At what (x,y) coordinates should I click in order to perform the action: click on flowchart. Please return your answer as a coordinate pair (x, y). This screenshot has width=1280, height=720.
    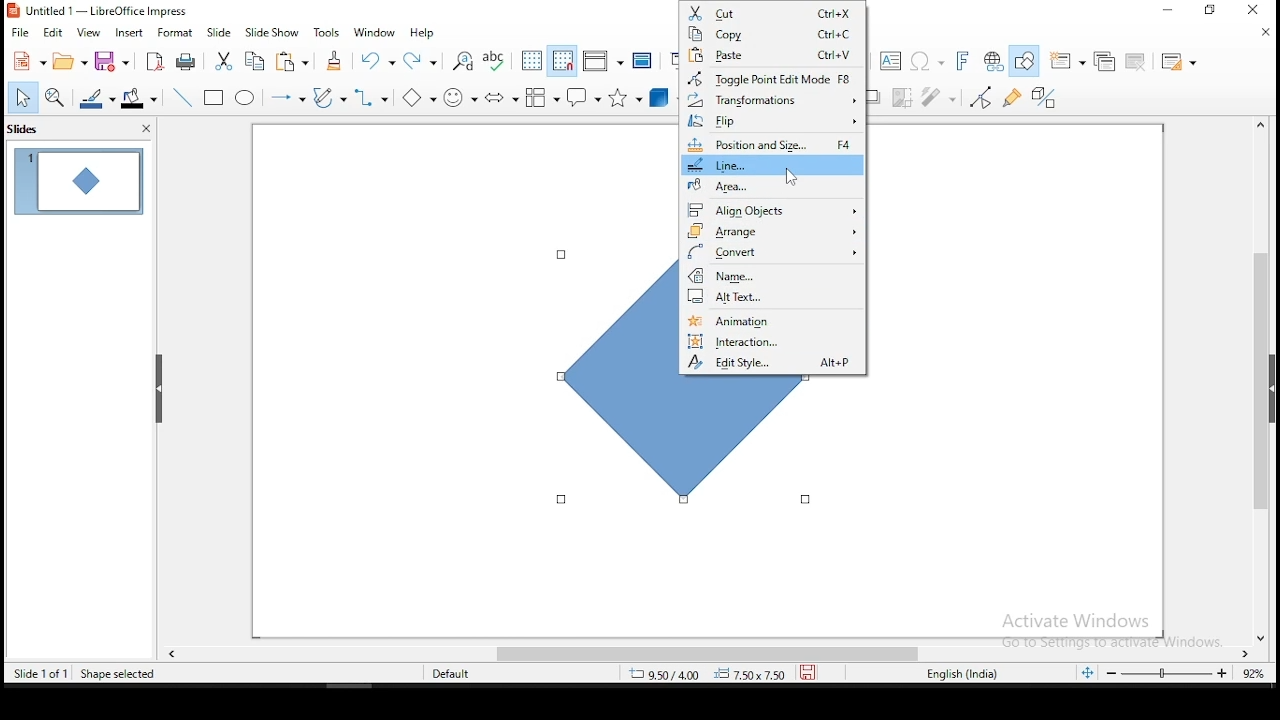
    Looking at the image, I should click on (543, 97).